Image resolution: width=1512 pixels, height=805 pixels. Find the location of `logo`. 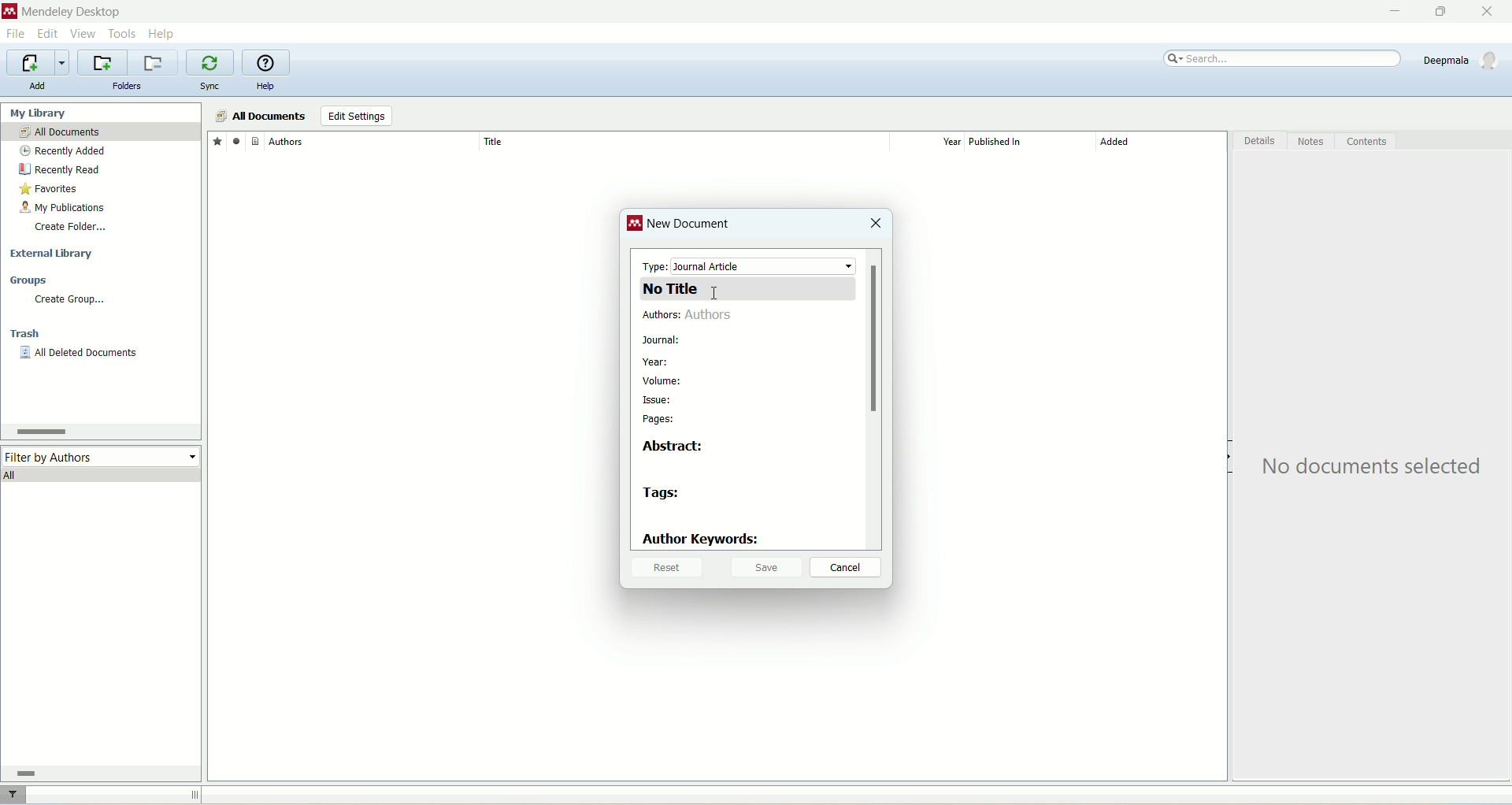

logo is located at coordinates (636, 225).